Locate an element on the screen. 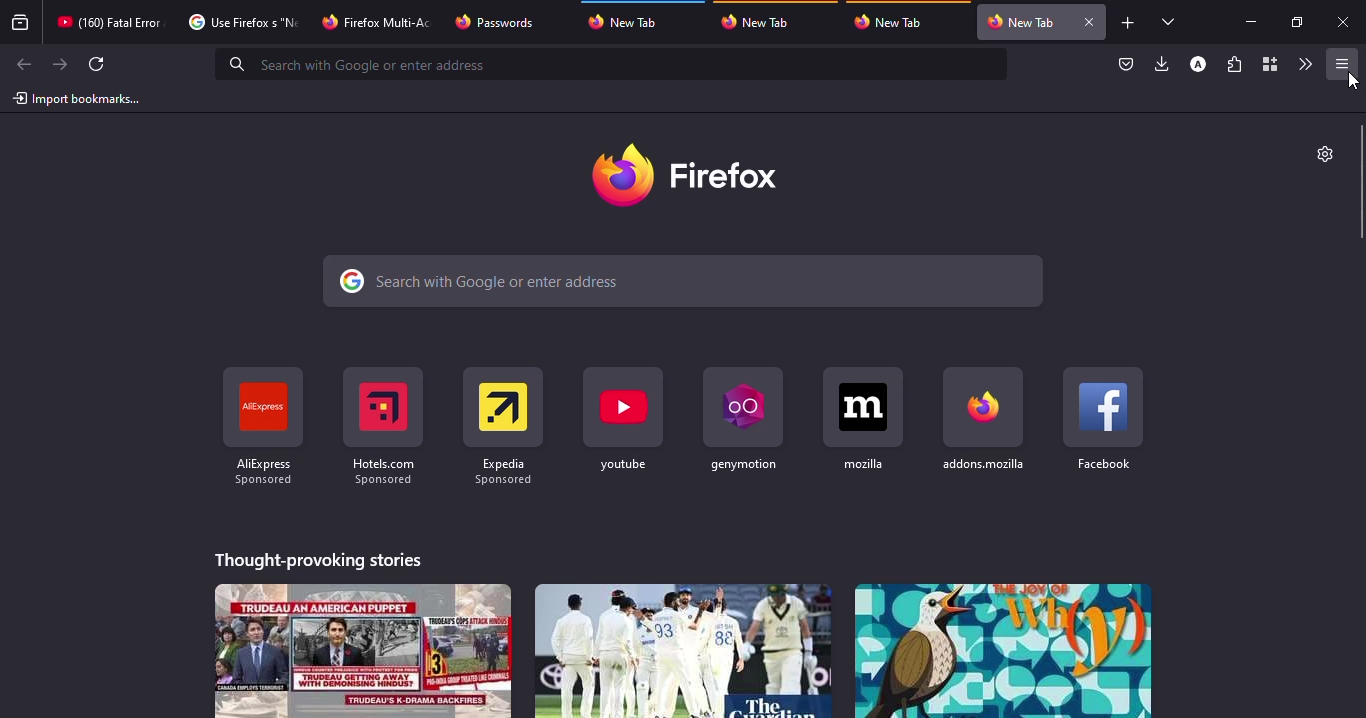  tab is located at coordinates (497, 22).